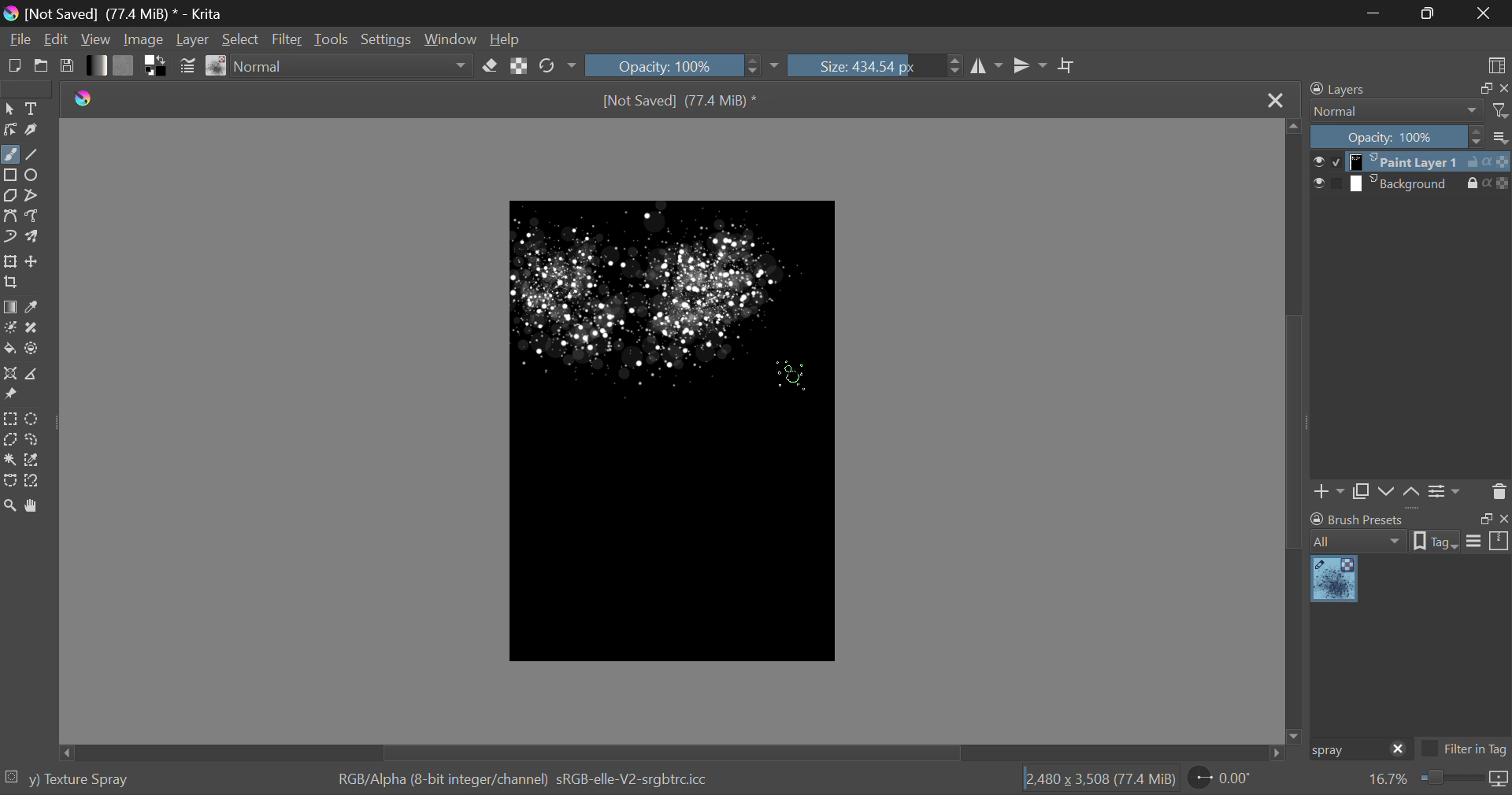 The height and width of the screenshot is (795, 1512). What do you see at coordinates (1497, 490) in the screenshot?
I see `Delete Layer` at bounding box center [1497, 490].